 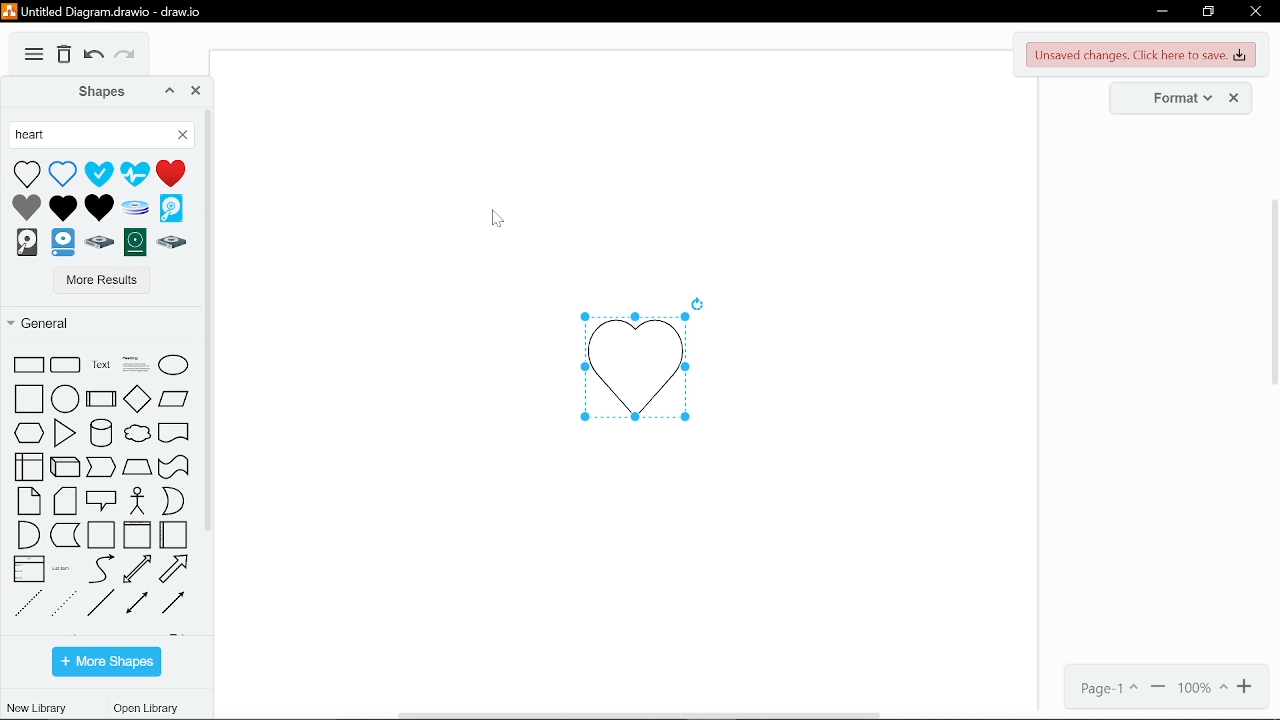 What do you see at coordinates (173, 534) in the screenshot?
I see `horizontal container` at bounding box center [173, 534].